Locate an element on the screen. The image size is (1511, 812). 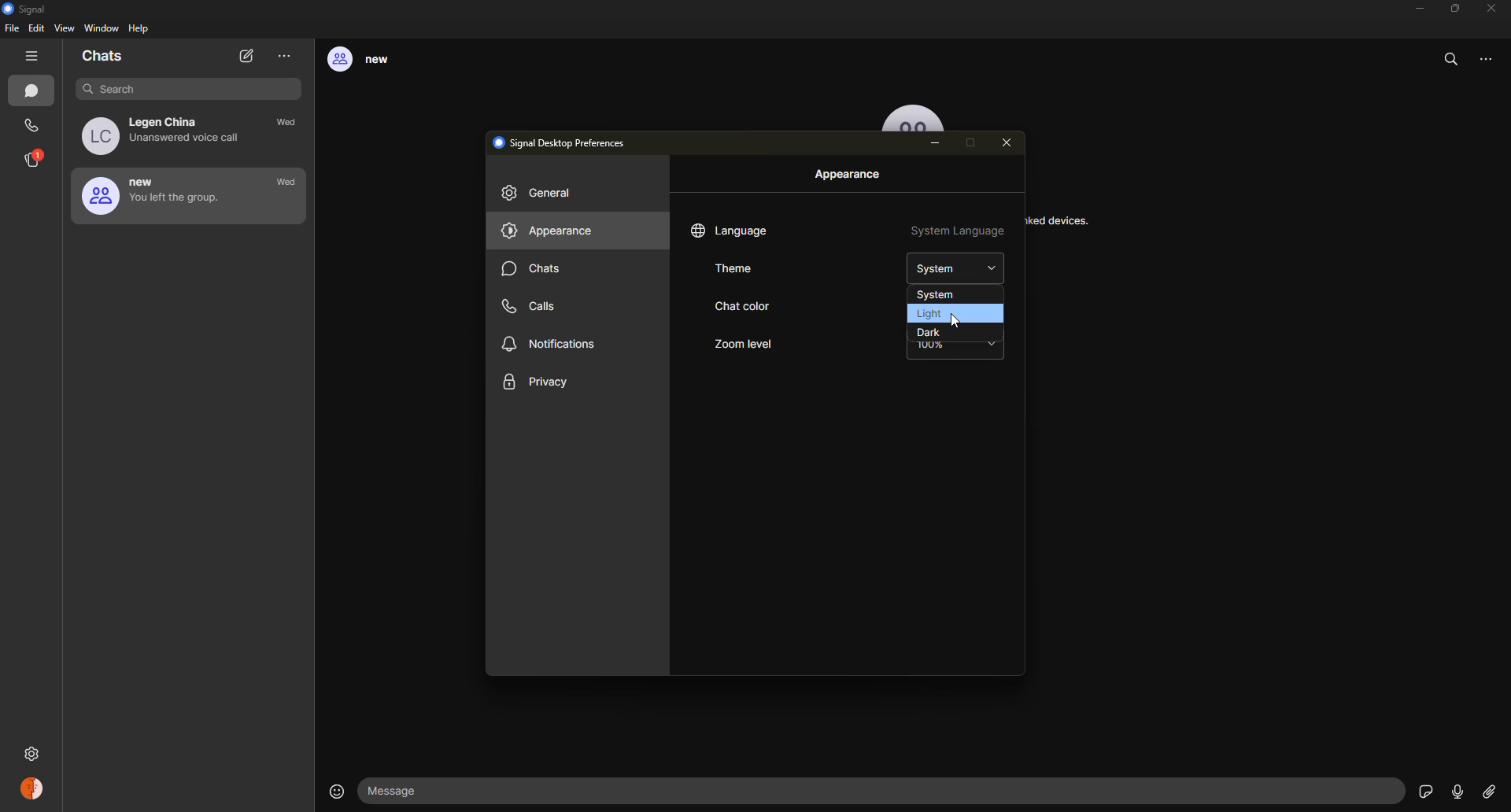
chats is located at coordinates (534, 271).